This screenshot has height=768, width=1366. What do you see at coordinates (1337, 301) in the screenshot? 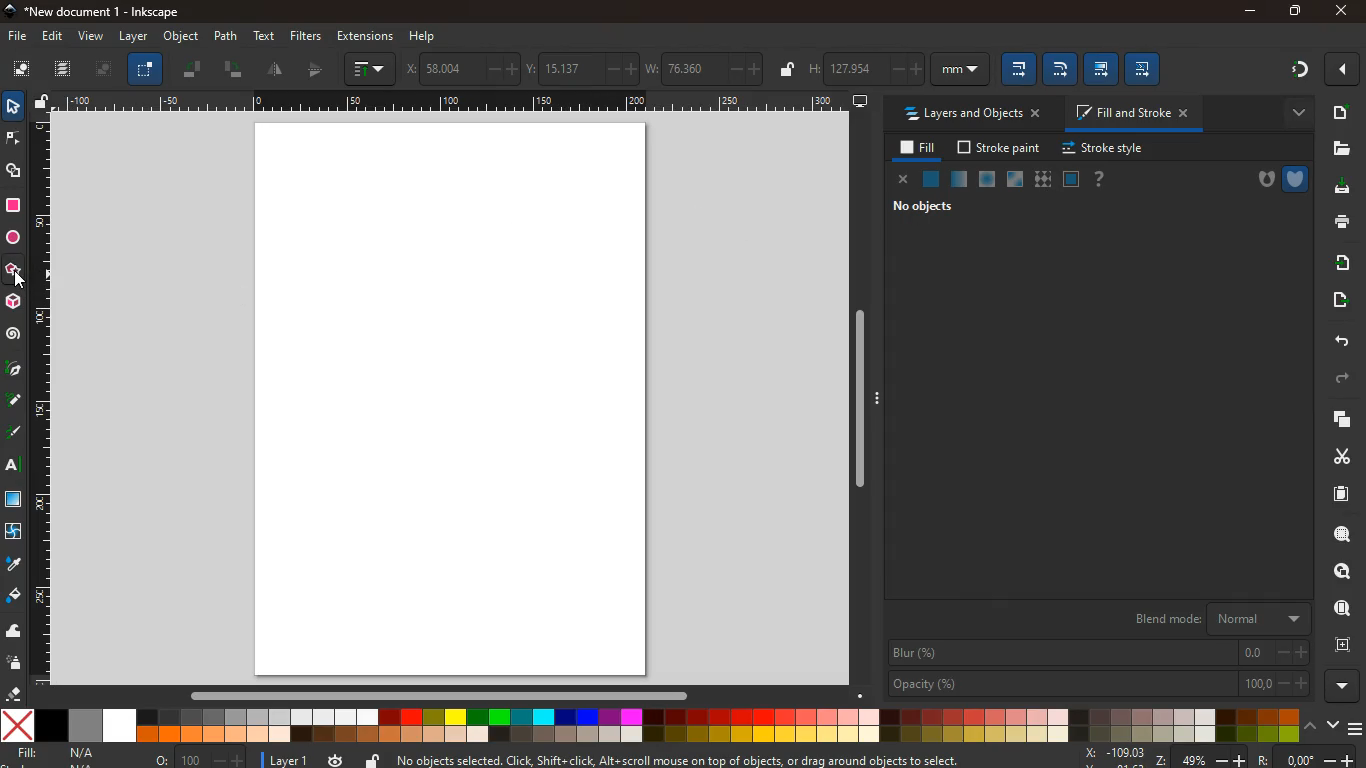
I see `move` at bounding box center [1337, 301].